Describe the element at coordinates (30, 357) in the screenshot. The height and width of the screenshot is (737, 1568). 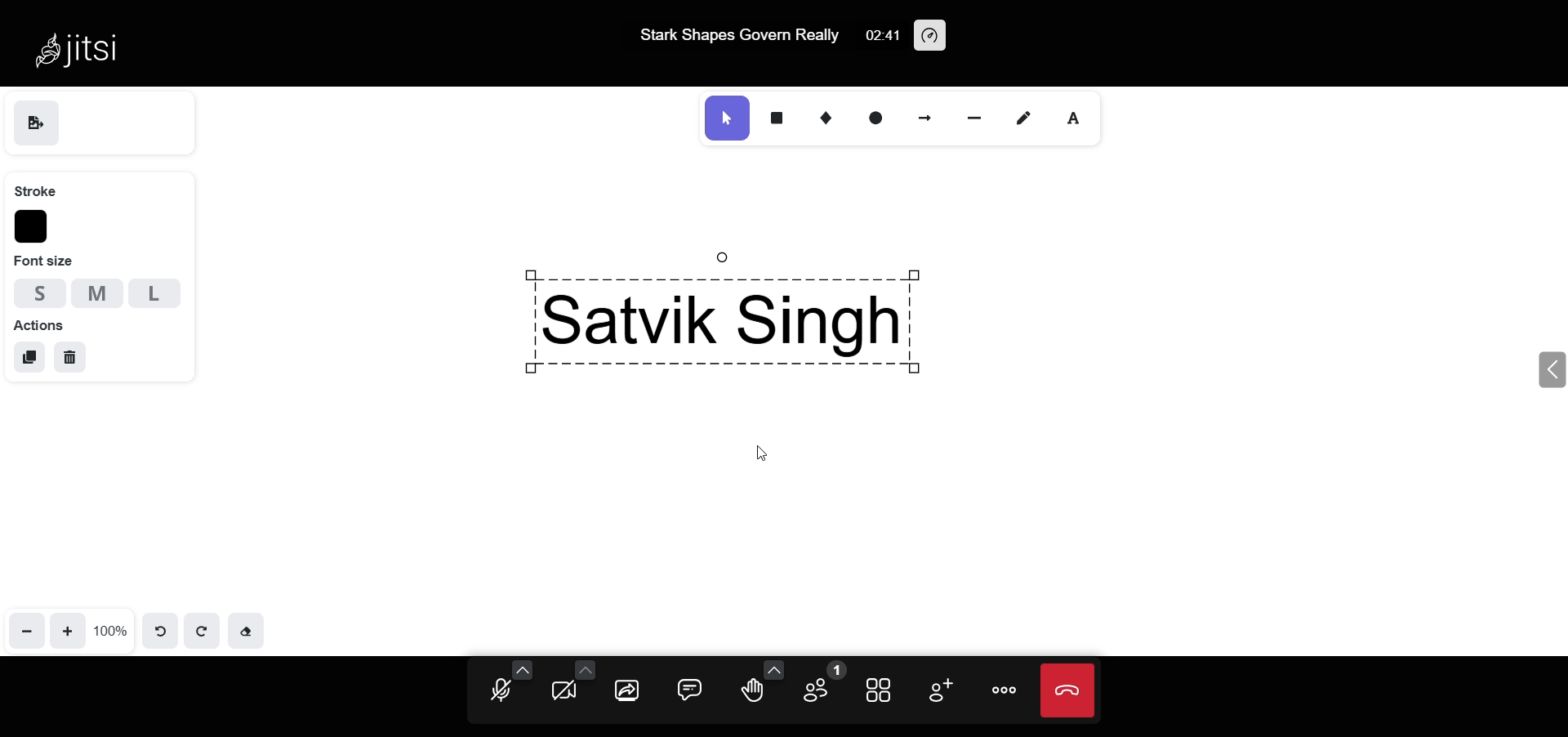
I see `duplicate` at that location.